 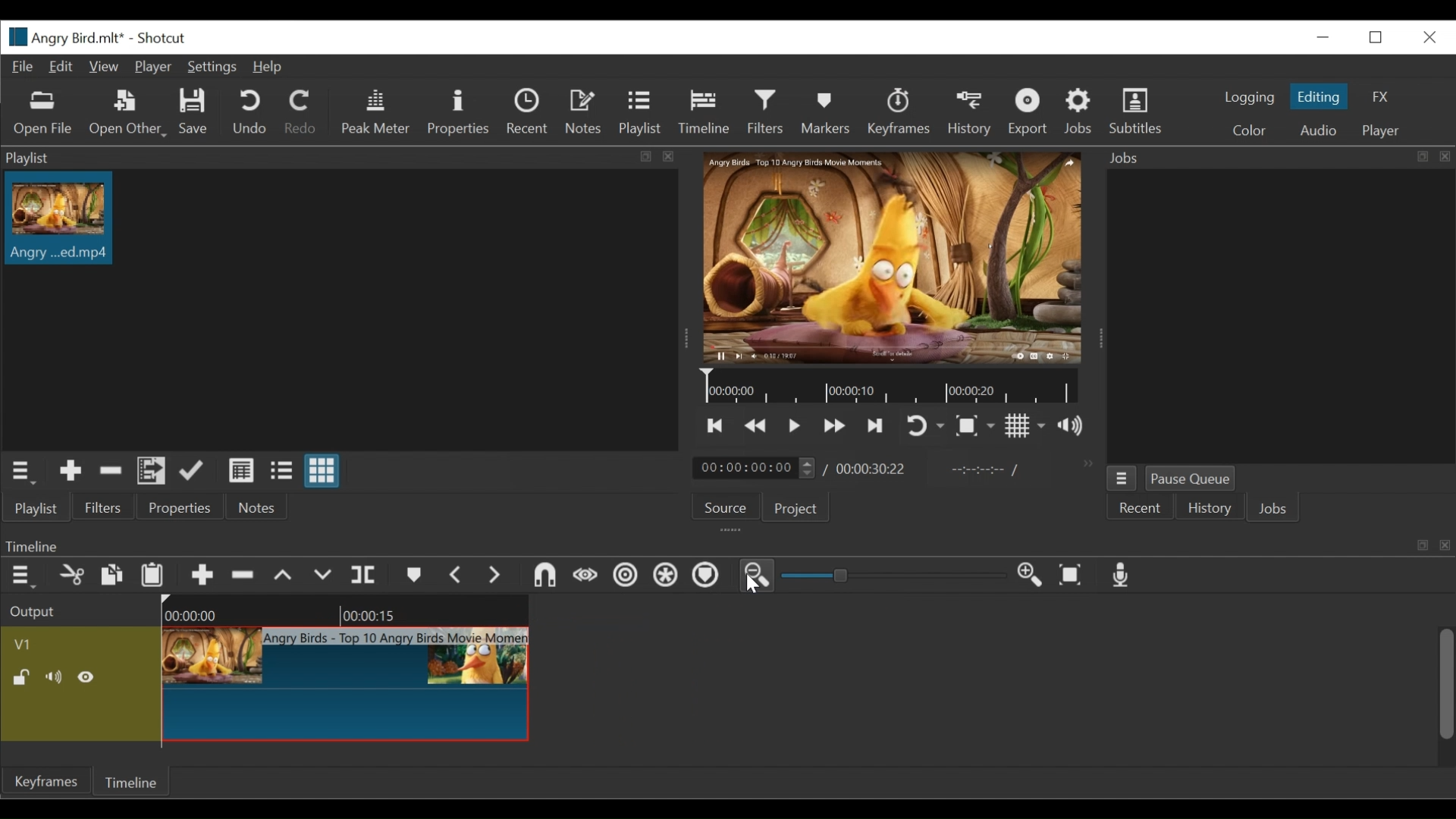 I want to click on keyframes, so click(x=41, y=784).